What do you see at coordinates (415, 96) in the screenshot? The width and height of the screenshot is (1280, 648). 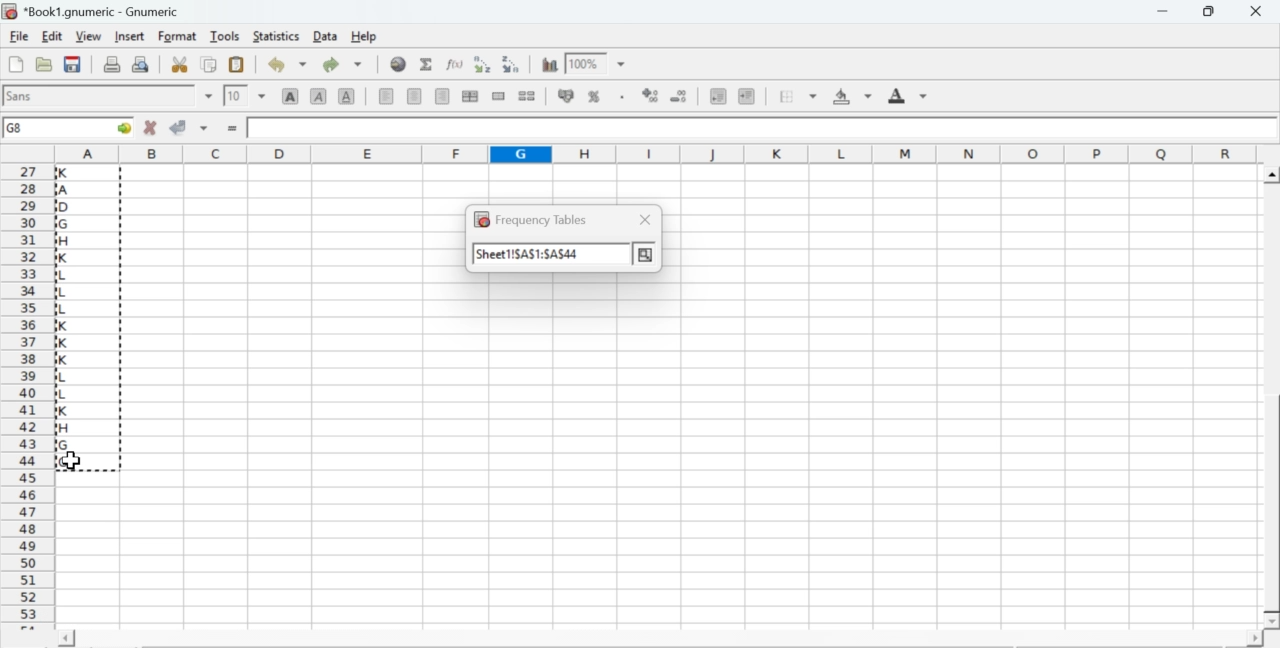 I see `center horizontally` at bounding box center [415, 96].